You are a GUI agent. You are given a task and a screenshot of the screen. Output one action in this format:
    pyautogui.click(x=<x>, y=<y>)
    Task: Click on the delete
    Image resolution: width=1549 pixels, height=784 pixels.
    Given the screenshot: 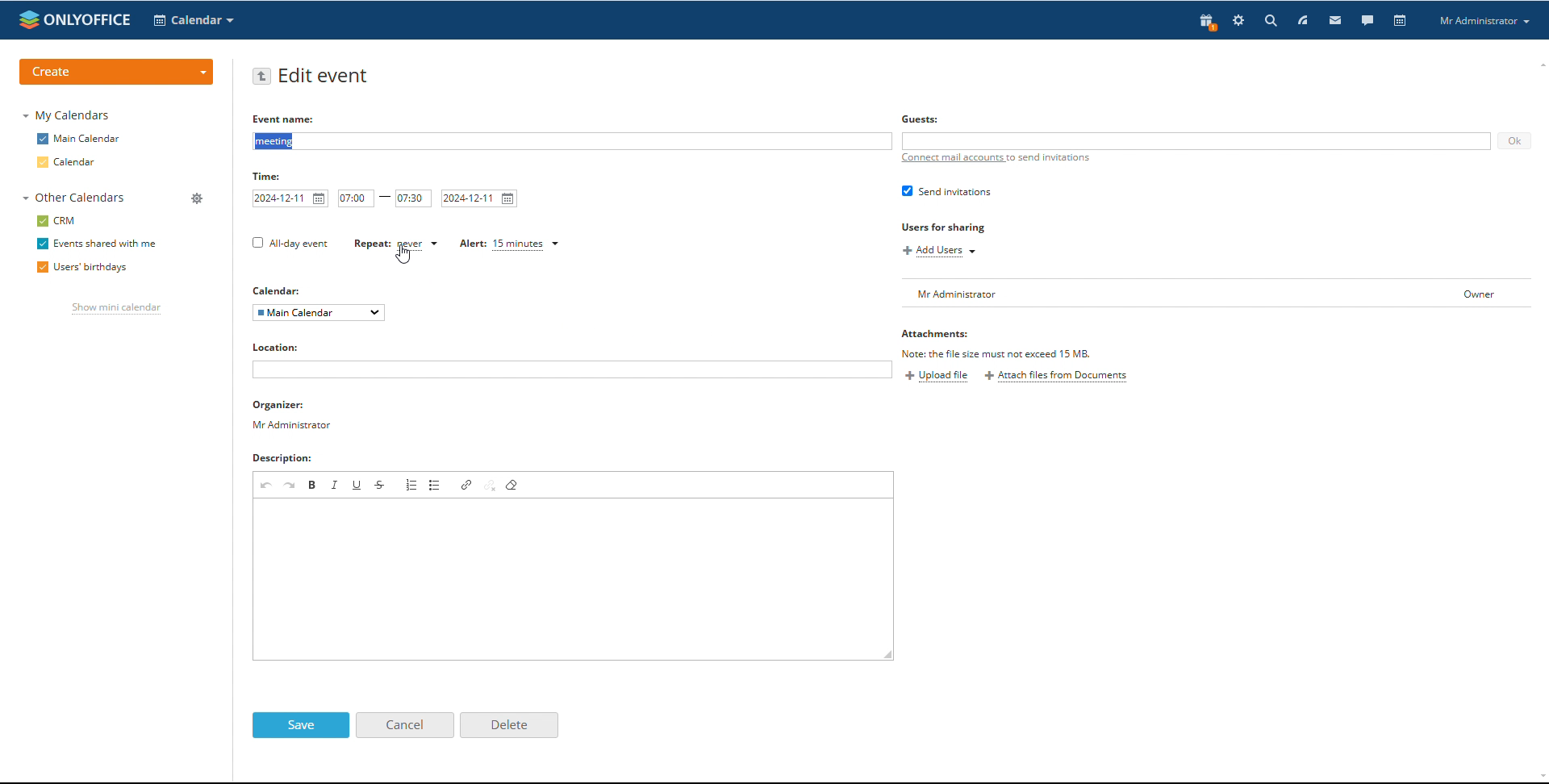 What is the action you would take?
    pyautogui.click(x=508, y=724)
    